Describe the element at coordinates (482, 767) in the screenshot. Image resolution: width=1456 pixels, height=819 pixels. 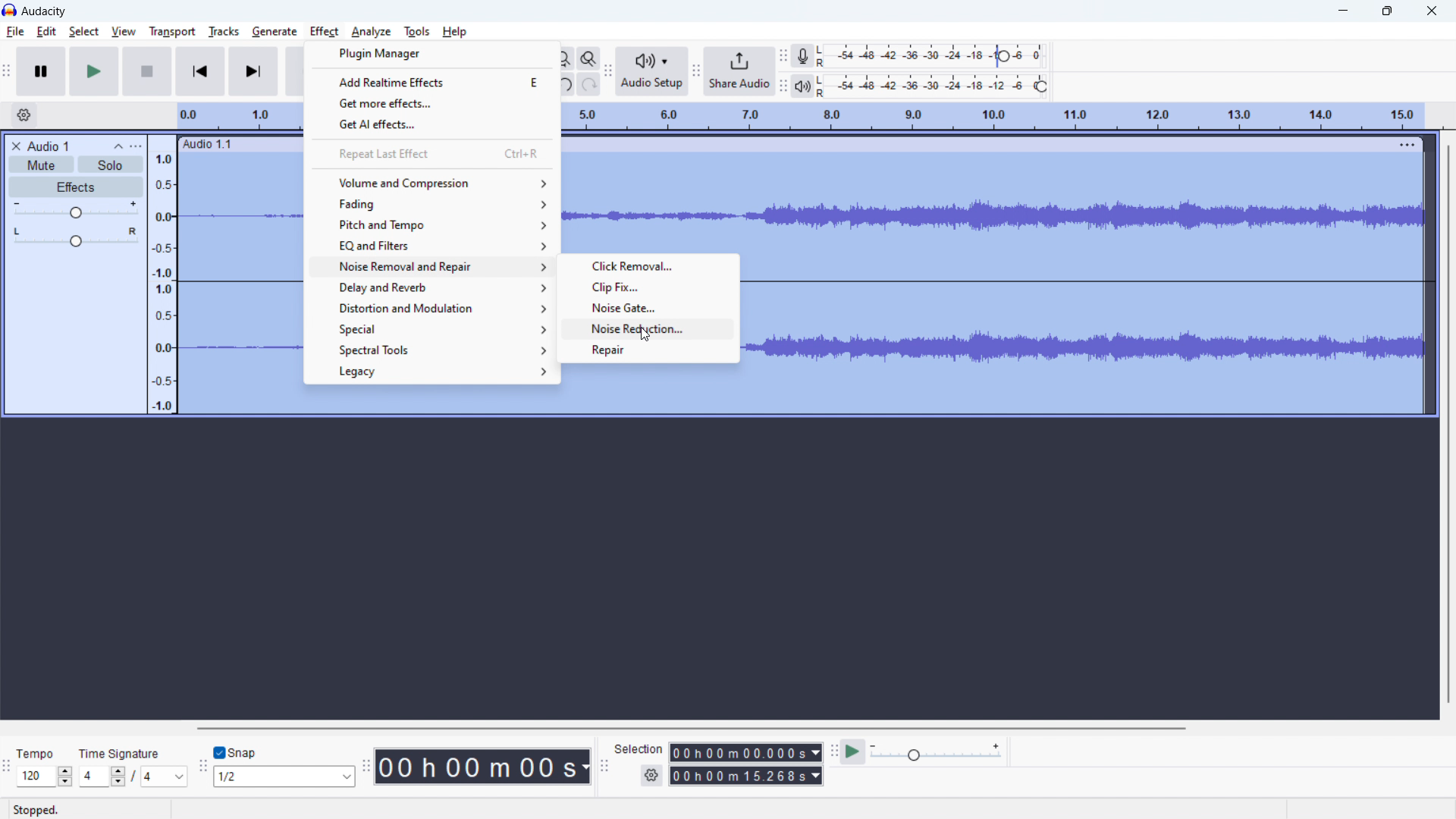
I see `time stamp` at that location.